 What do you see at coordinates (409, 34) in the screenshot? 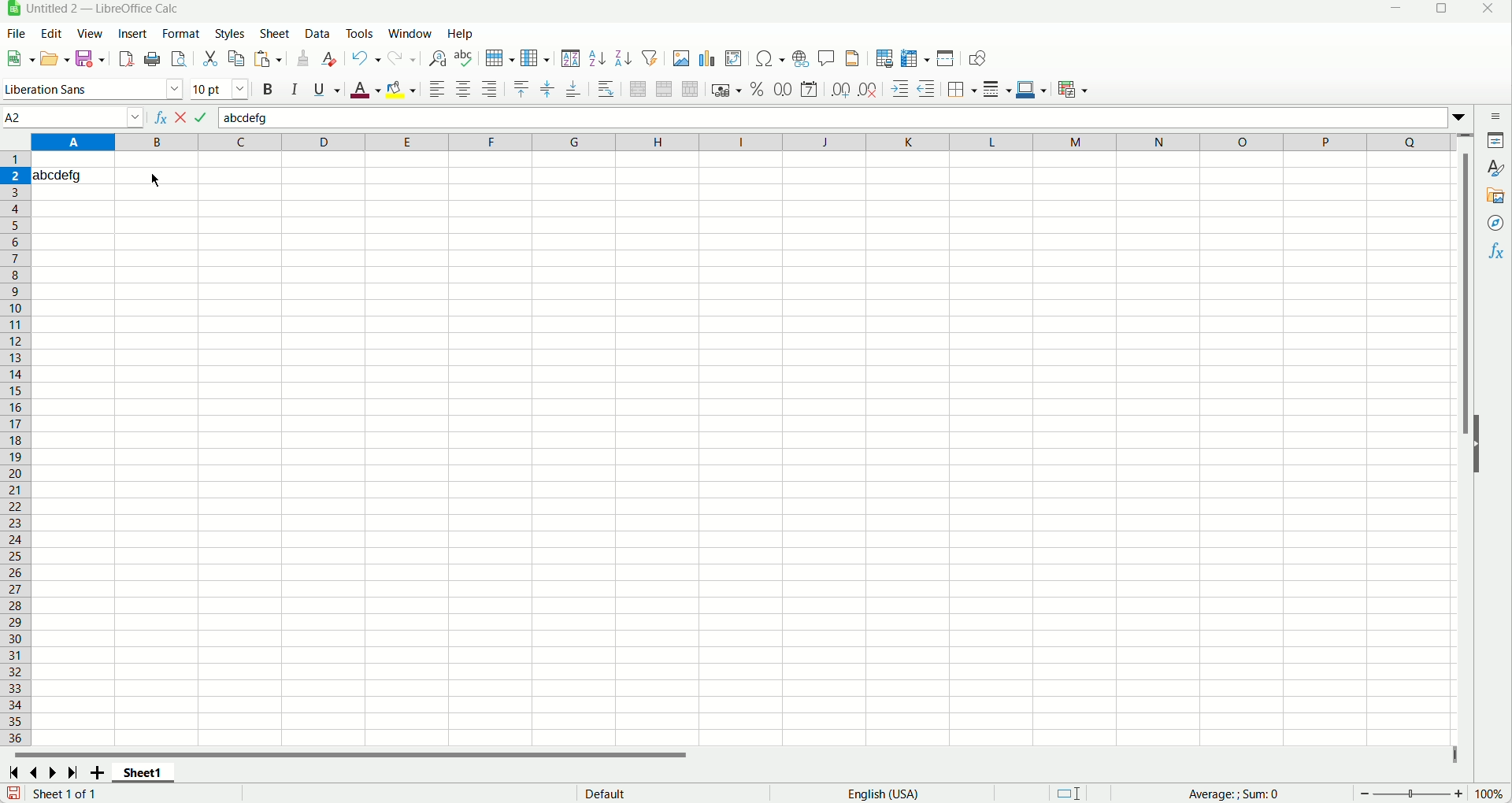
I see `window` at bounding box center [409, 34].